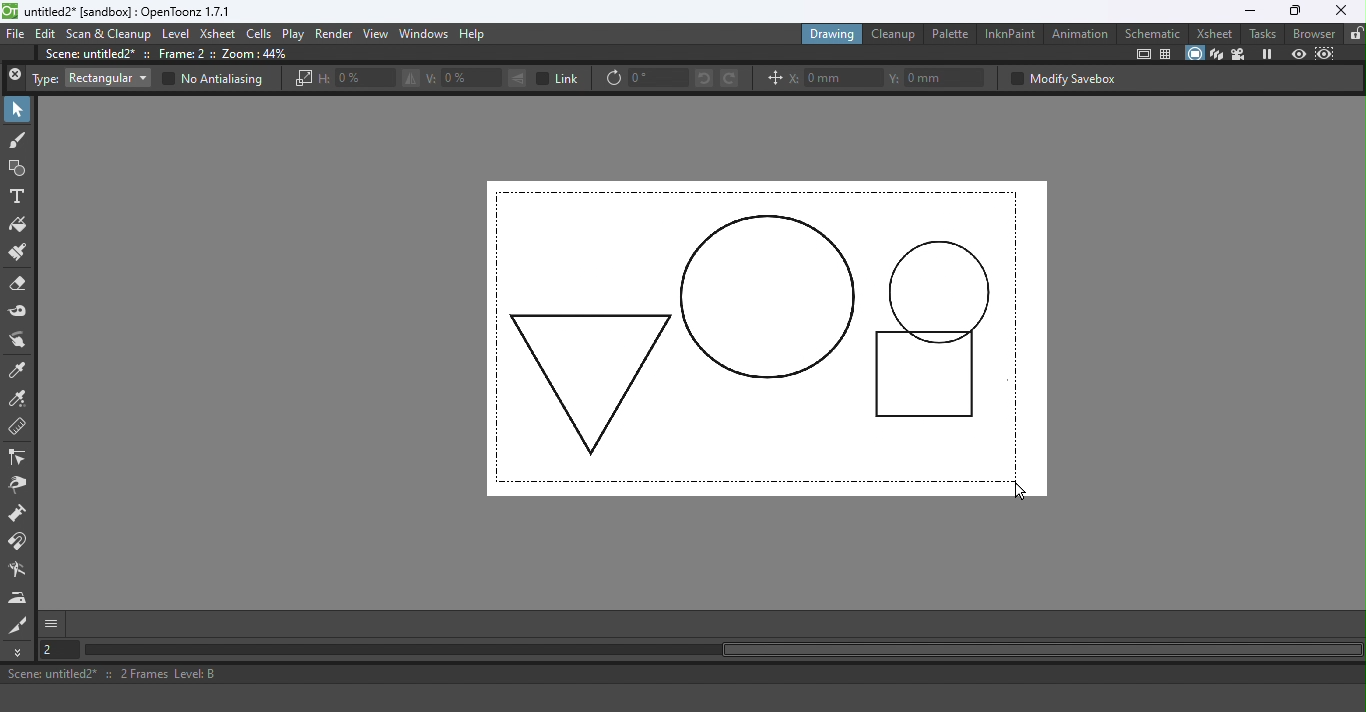 Image resolution: width=1366 pixels, height=712 pixels. Describe the element at coordinates (211, 79) in the screenshot. I see `No Antialiasing` at that location.